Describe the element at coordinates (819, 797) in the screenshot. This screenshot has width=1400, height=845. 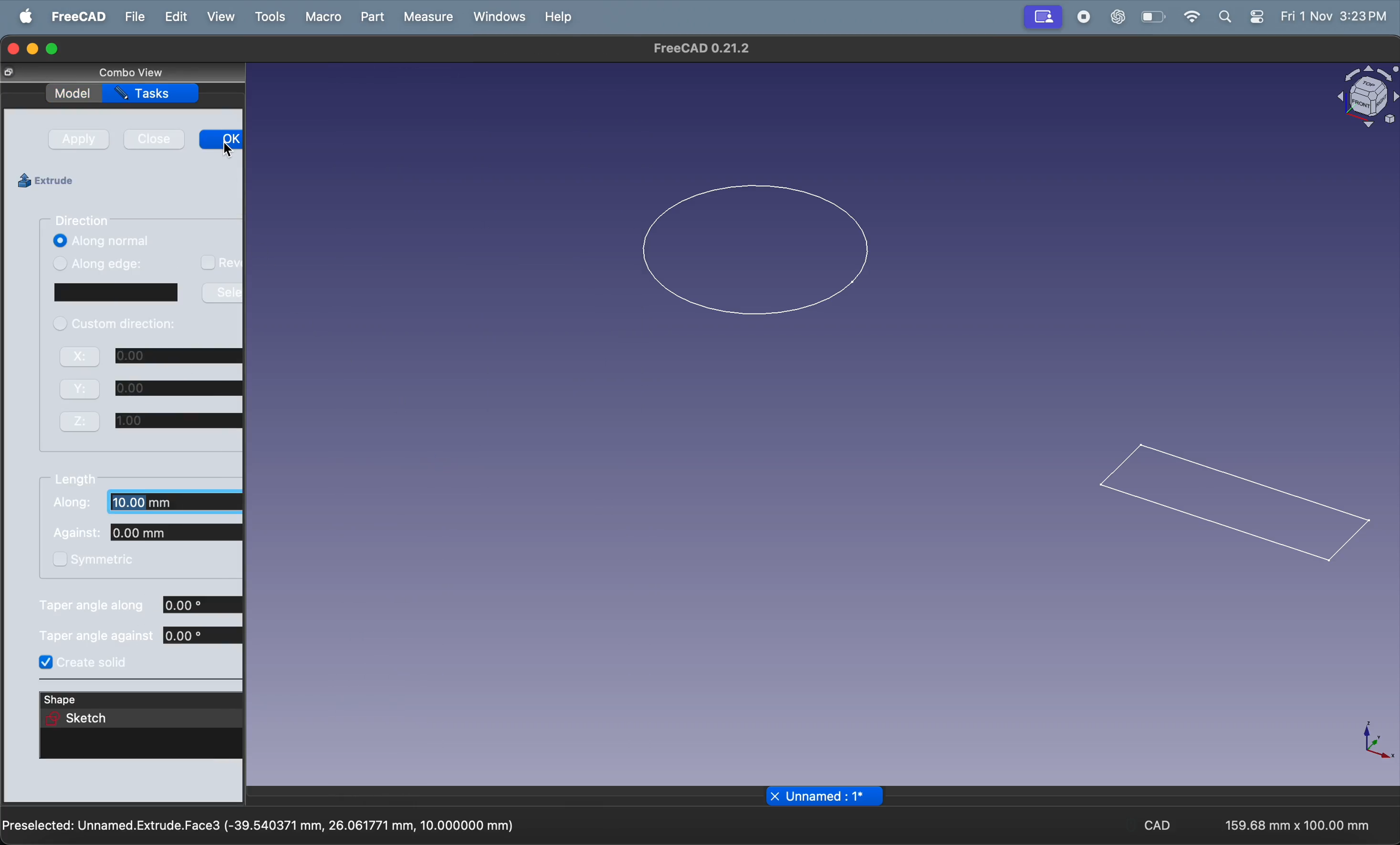
I see `file name` at that location.